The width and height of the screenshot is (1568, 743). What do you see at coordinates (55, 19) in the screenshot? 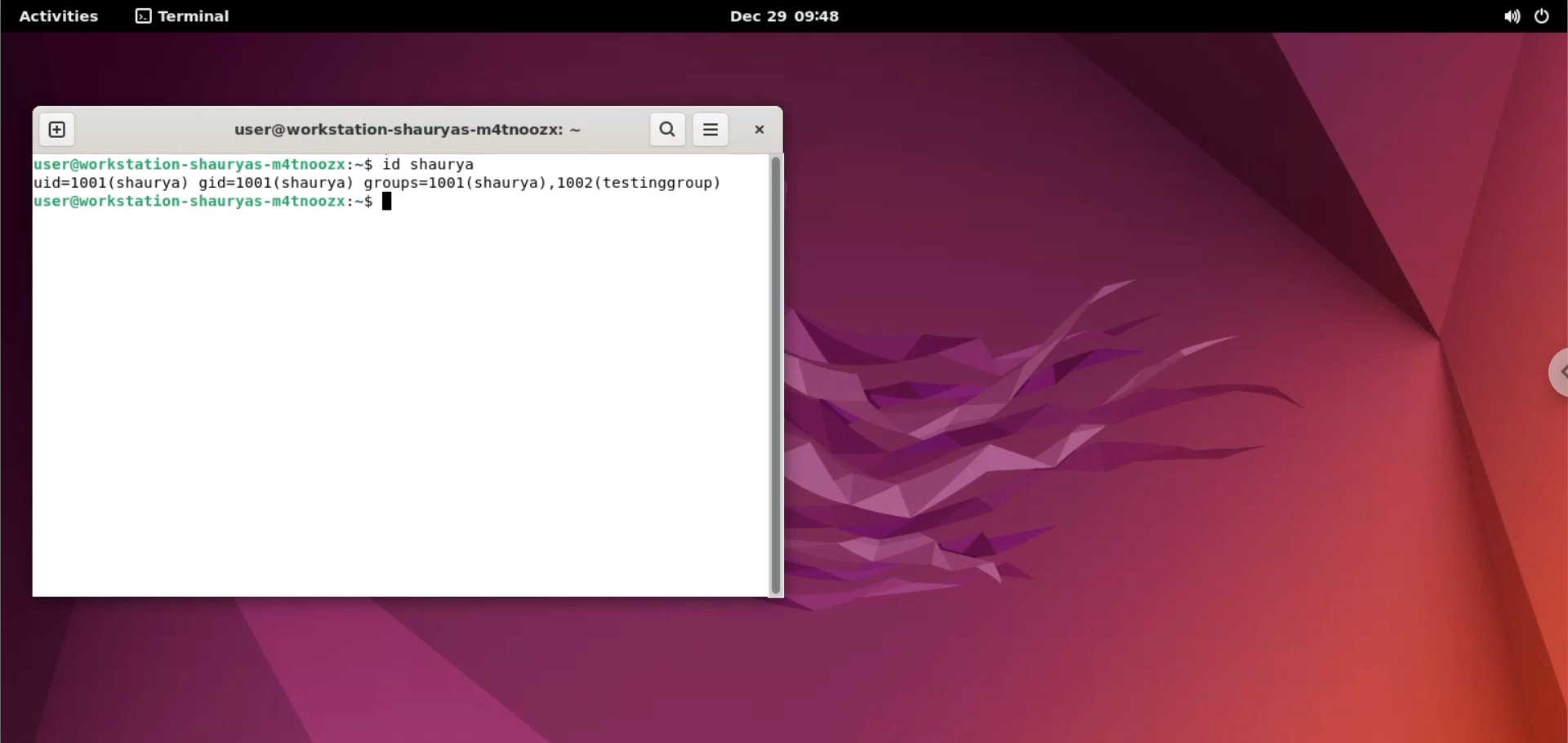
I see `Activities` at bounding box center [55, 19].